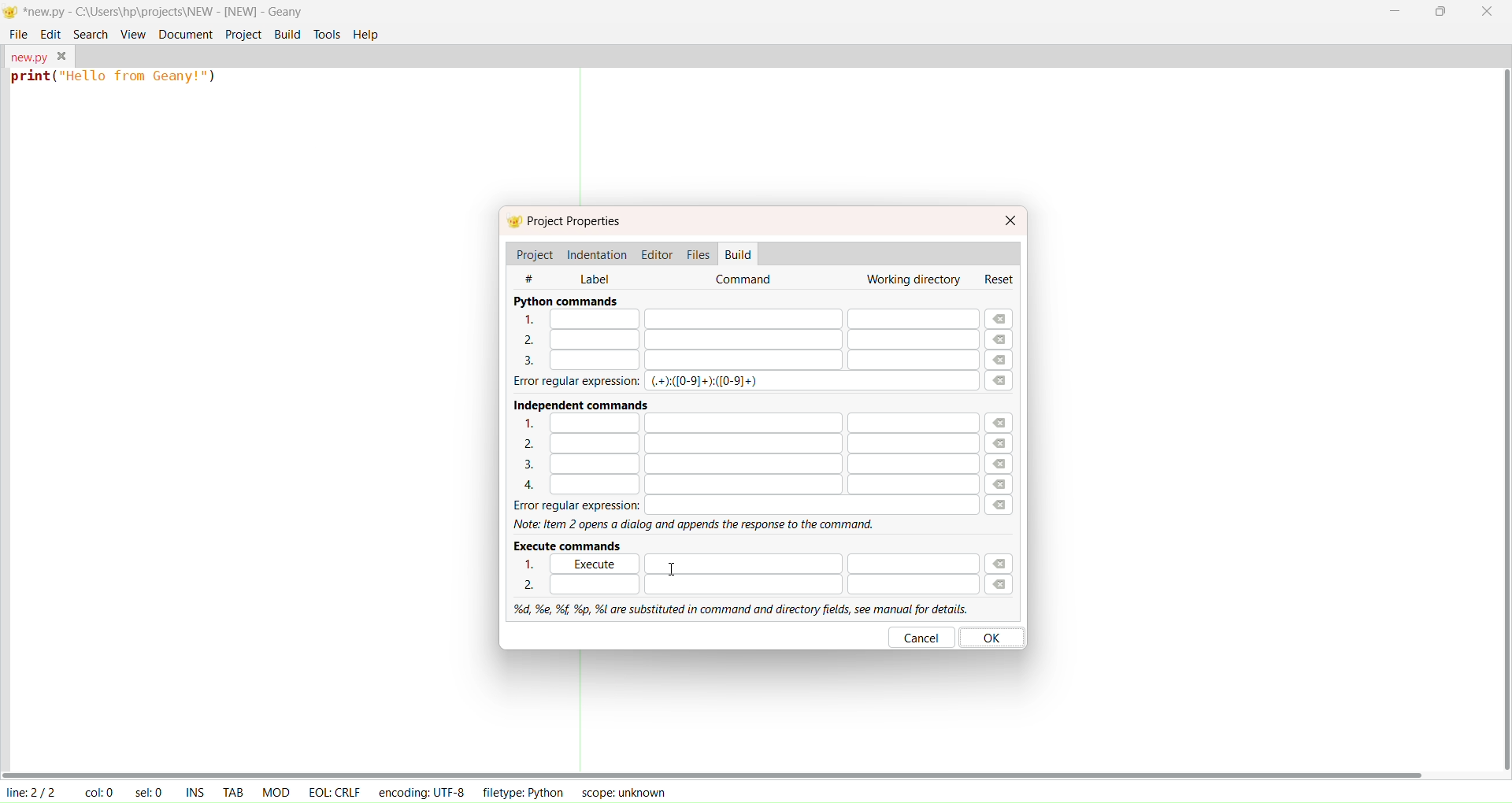  Describe the element at coordinates (738, 465) in the screenshot. I see `3.` at that location.